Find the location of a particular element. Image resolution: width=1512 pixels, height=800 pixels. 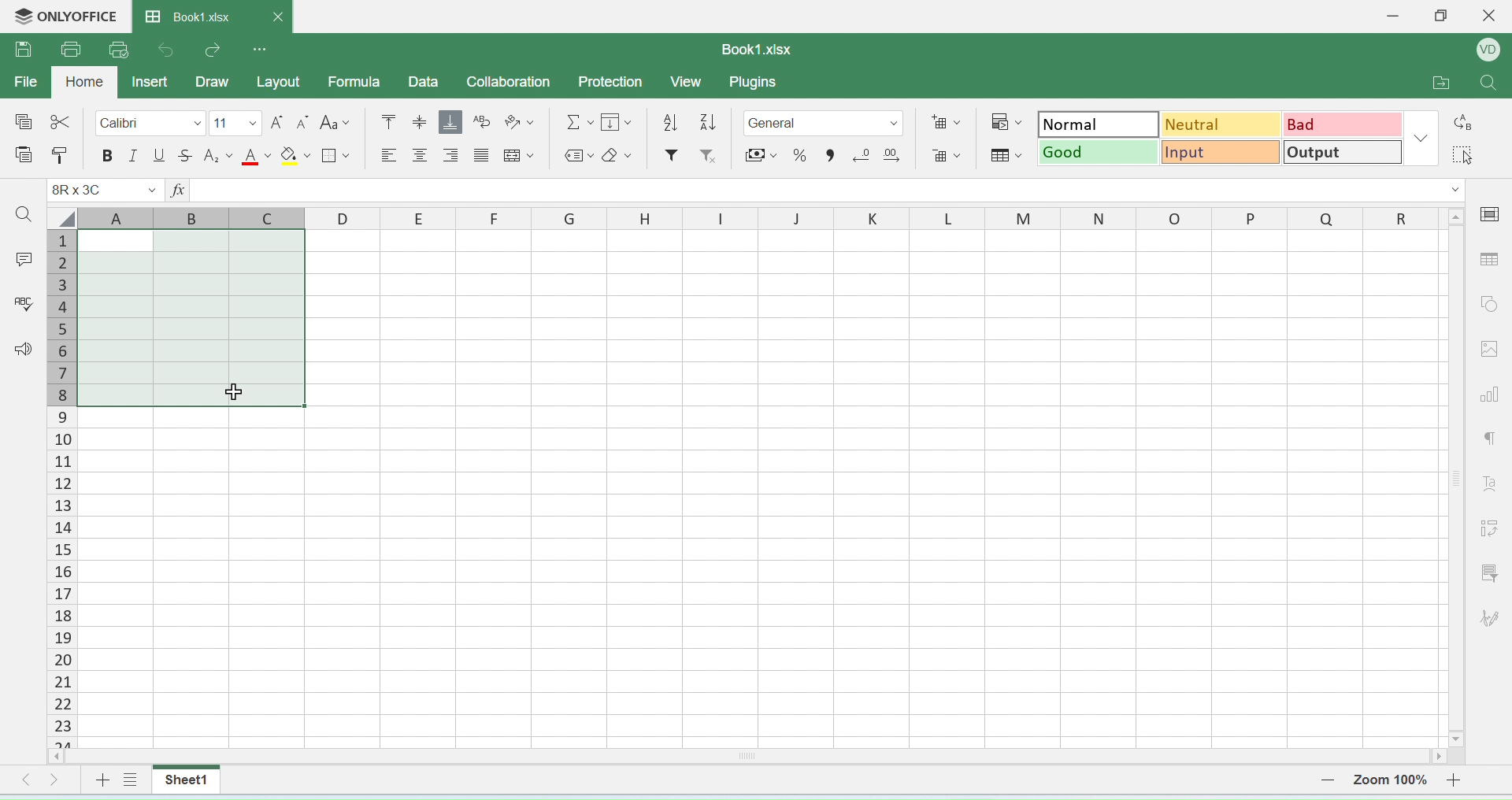

align center is located at coordinates (421, 123).